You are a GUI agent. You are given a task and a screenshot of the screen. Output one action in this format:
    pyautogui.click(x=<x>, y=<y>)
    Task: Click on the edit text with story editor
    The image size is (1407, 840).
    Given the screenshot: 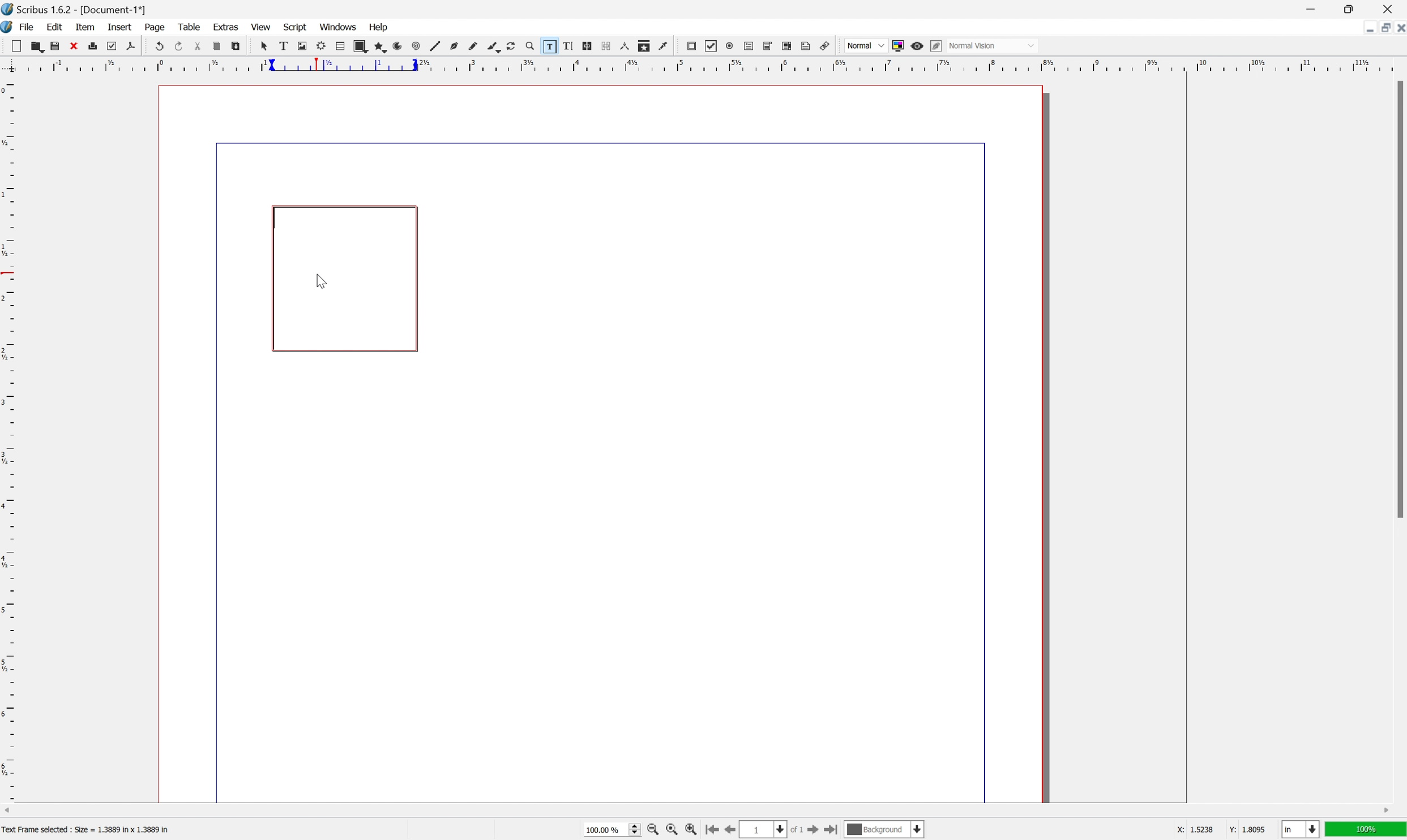 What is the action you would take?
    pyautogui.click(x=567, y=45)
    